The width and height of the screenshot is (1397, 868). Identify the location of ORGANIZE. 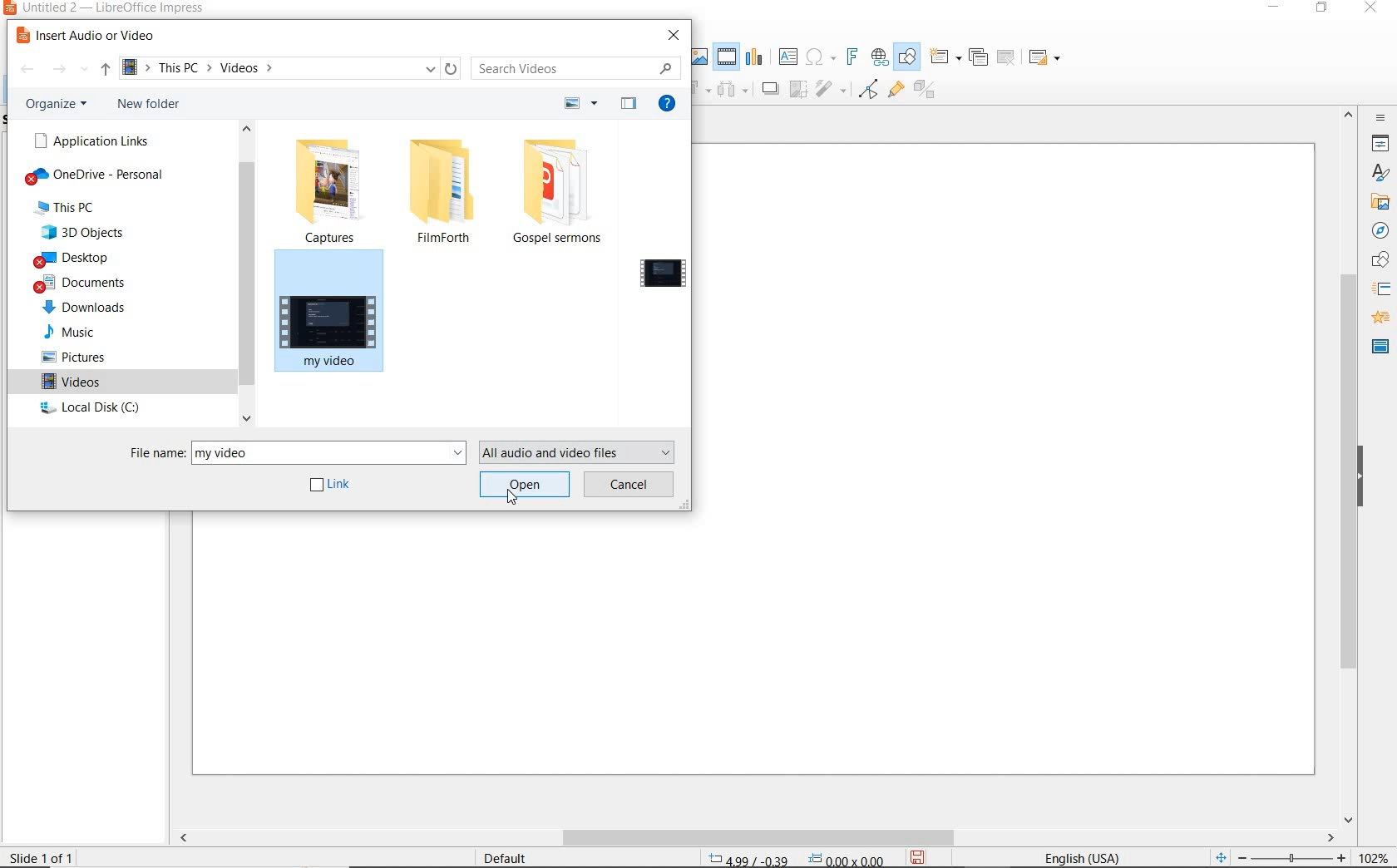
(59, 106).